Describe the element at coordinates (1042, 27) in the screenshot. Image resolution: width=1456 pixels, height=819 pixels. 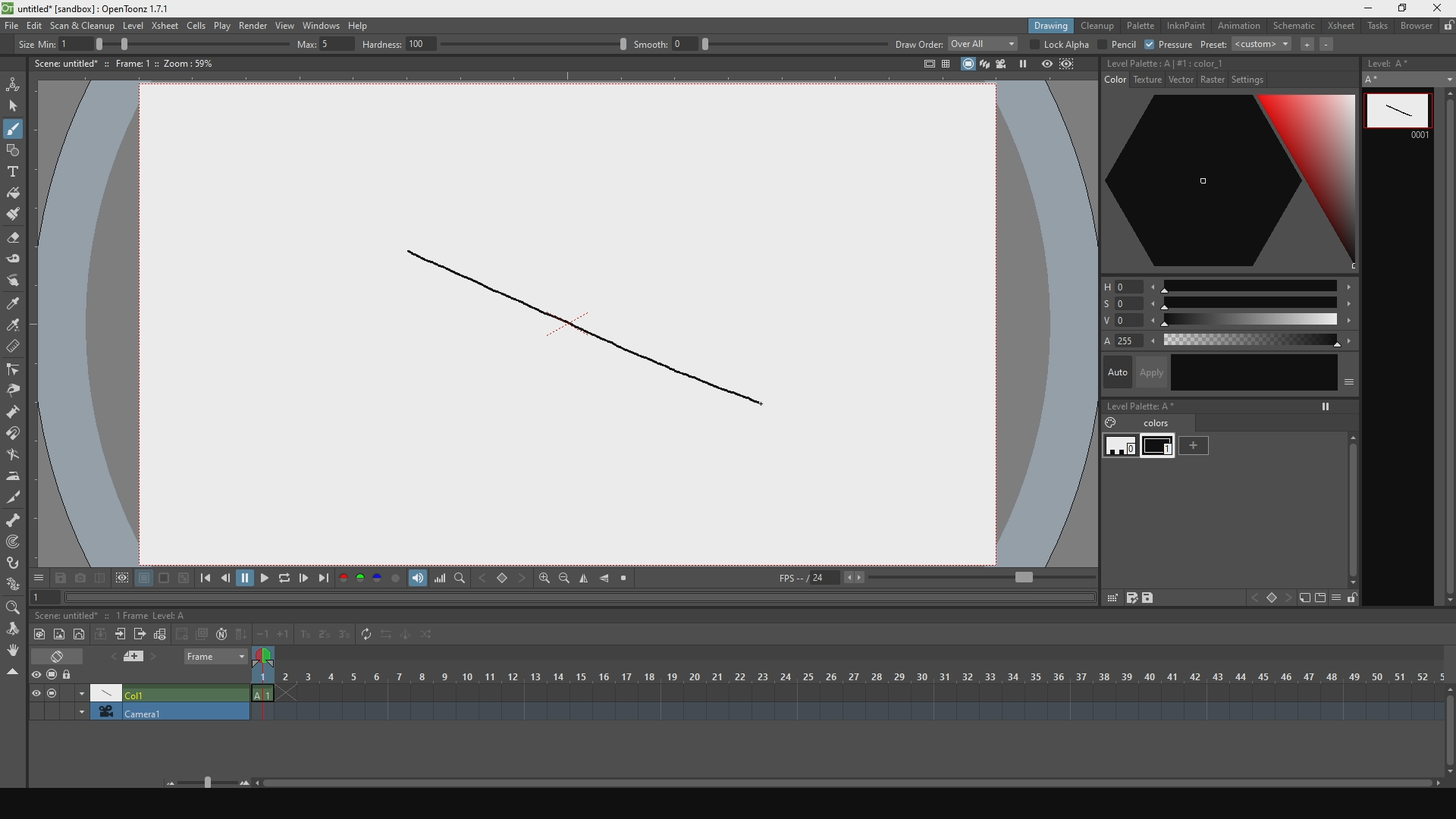
I see `drawing` at that location.